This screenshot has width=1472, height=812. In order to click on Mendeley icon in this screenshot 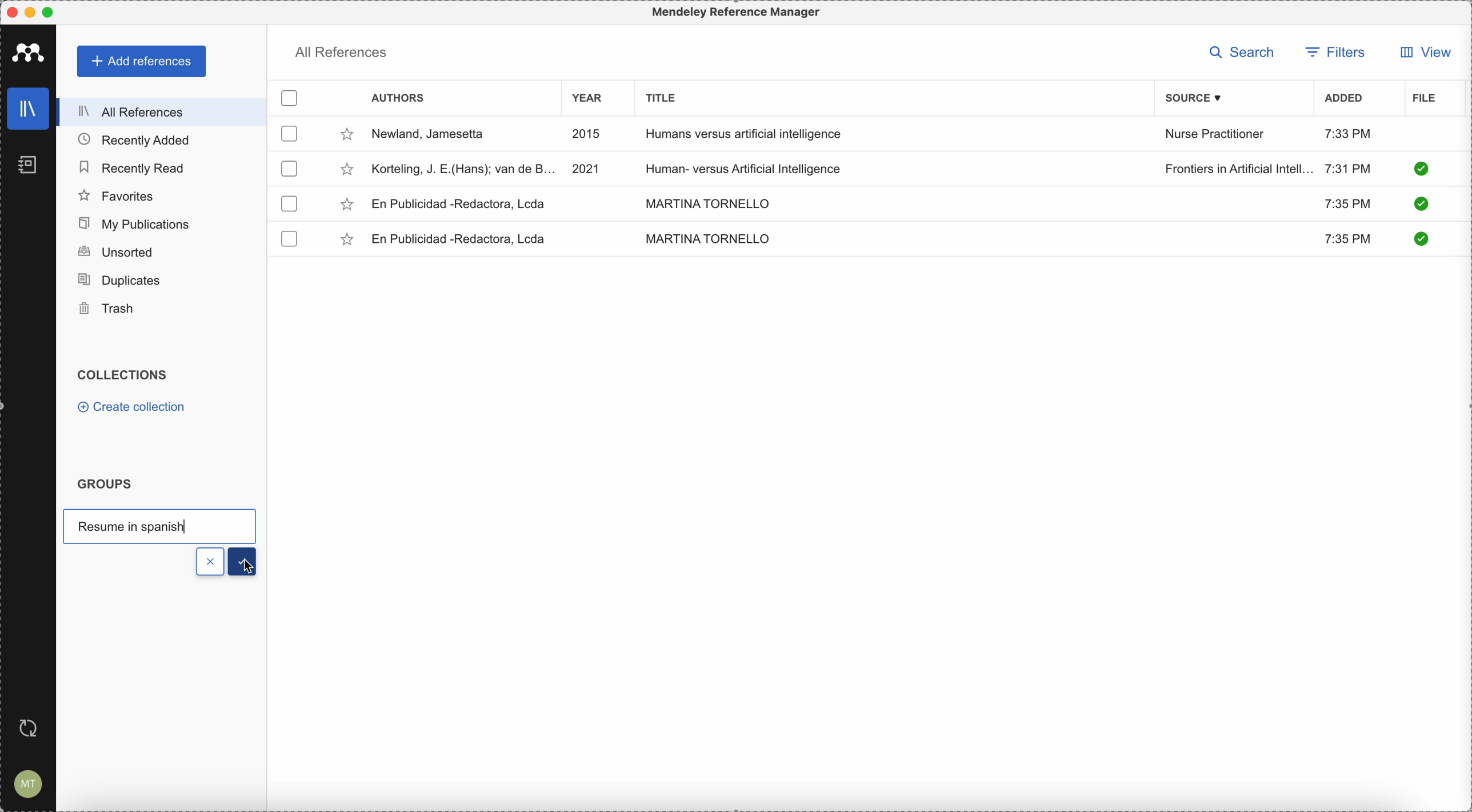, I will do `click(29, 50)`.